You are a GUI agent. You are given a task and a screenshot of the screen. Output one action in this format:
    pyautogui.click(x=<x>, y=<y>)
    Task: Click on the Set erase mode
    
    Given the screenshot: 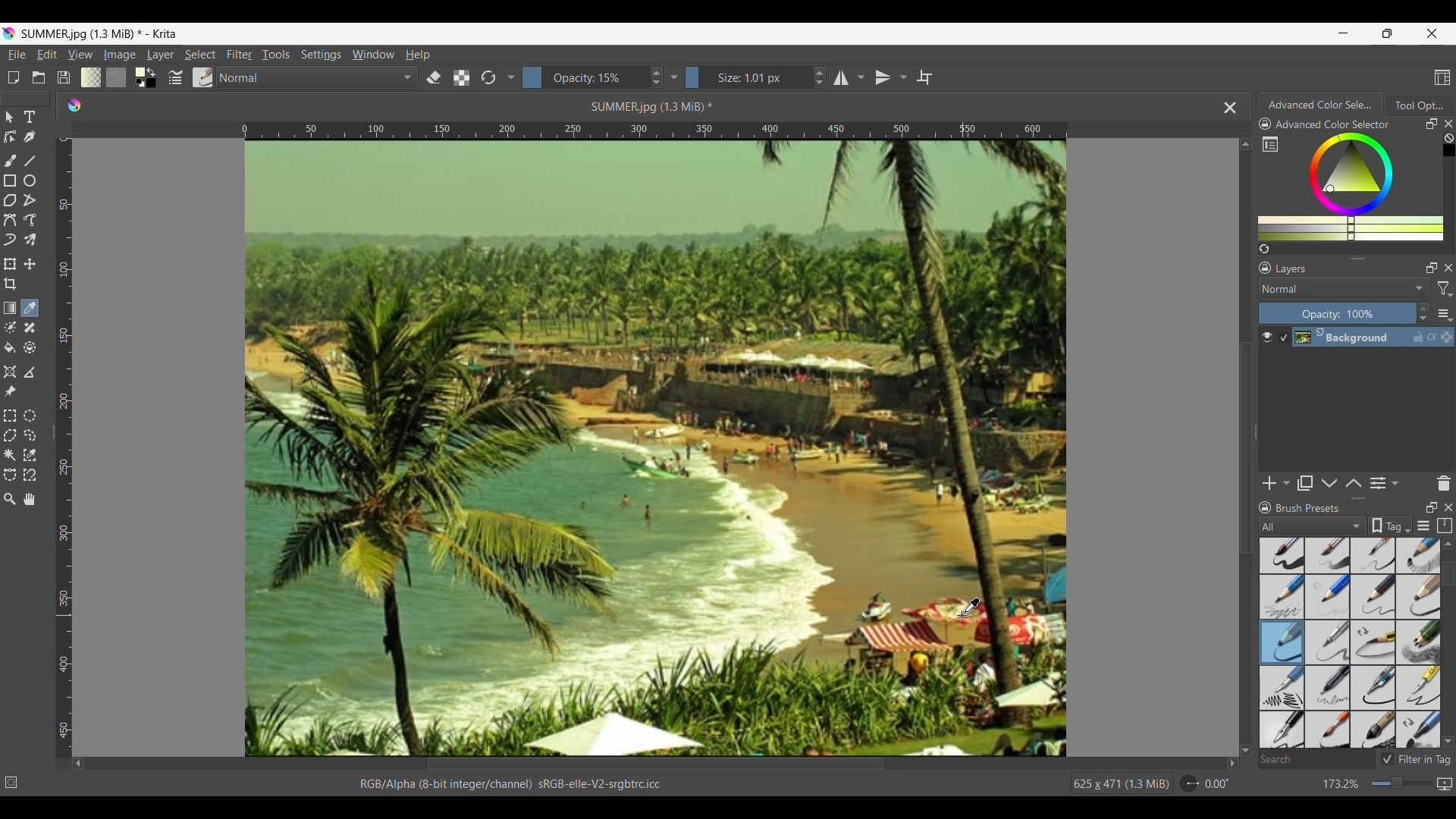 What is the action you would take?
    pyautogui.click(x=434, y=78)
    